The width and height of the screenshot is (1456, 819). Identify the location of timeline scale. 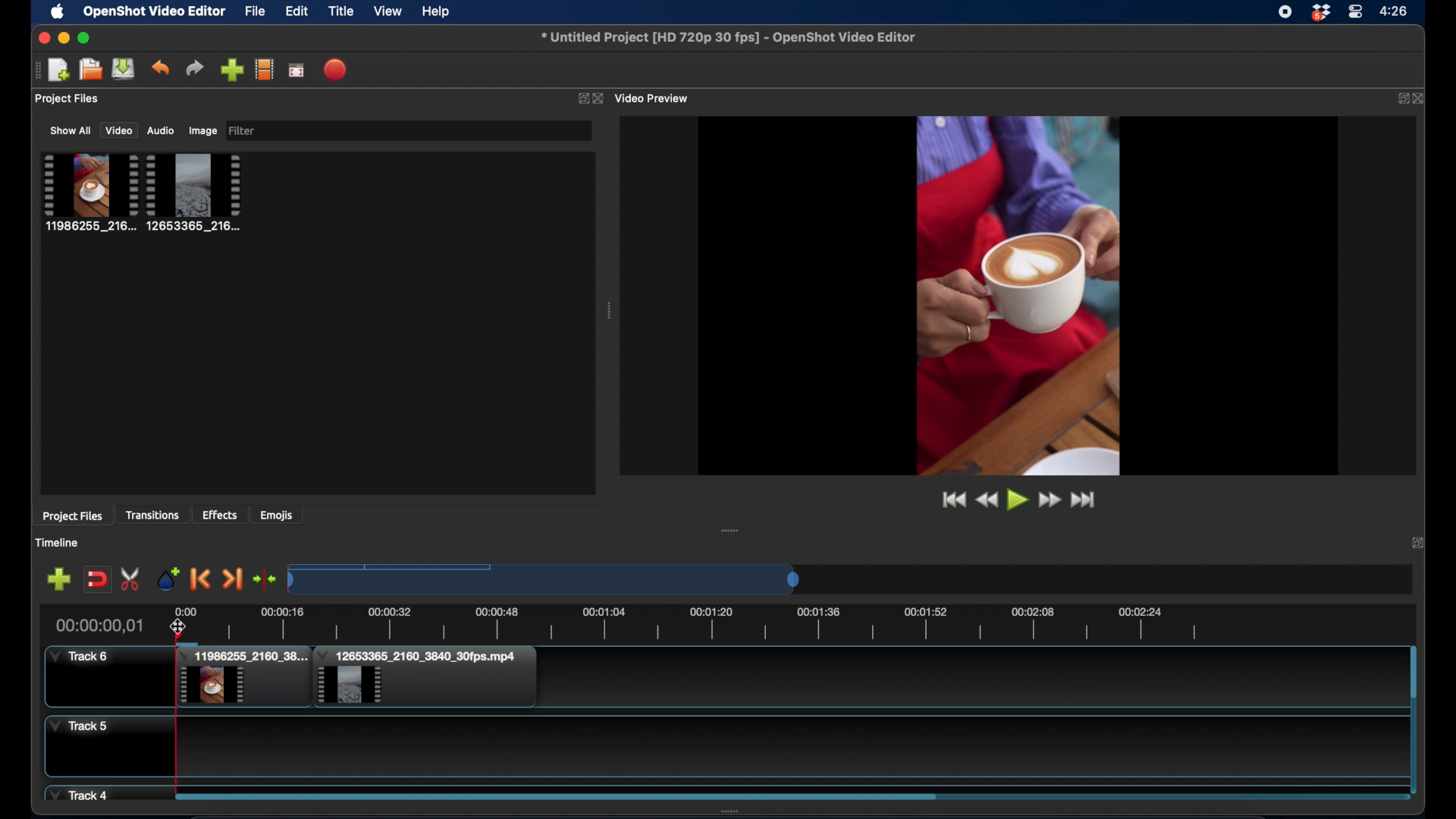
(546, 579).